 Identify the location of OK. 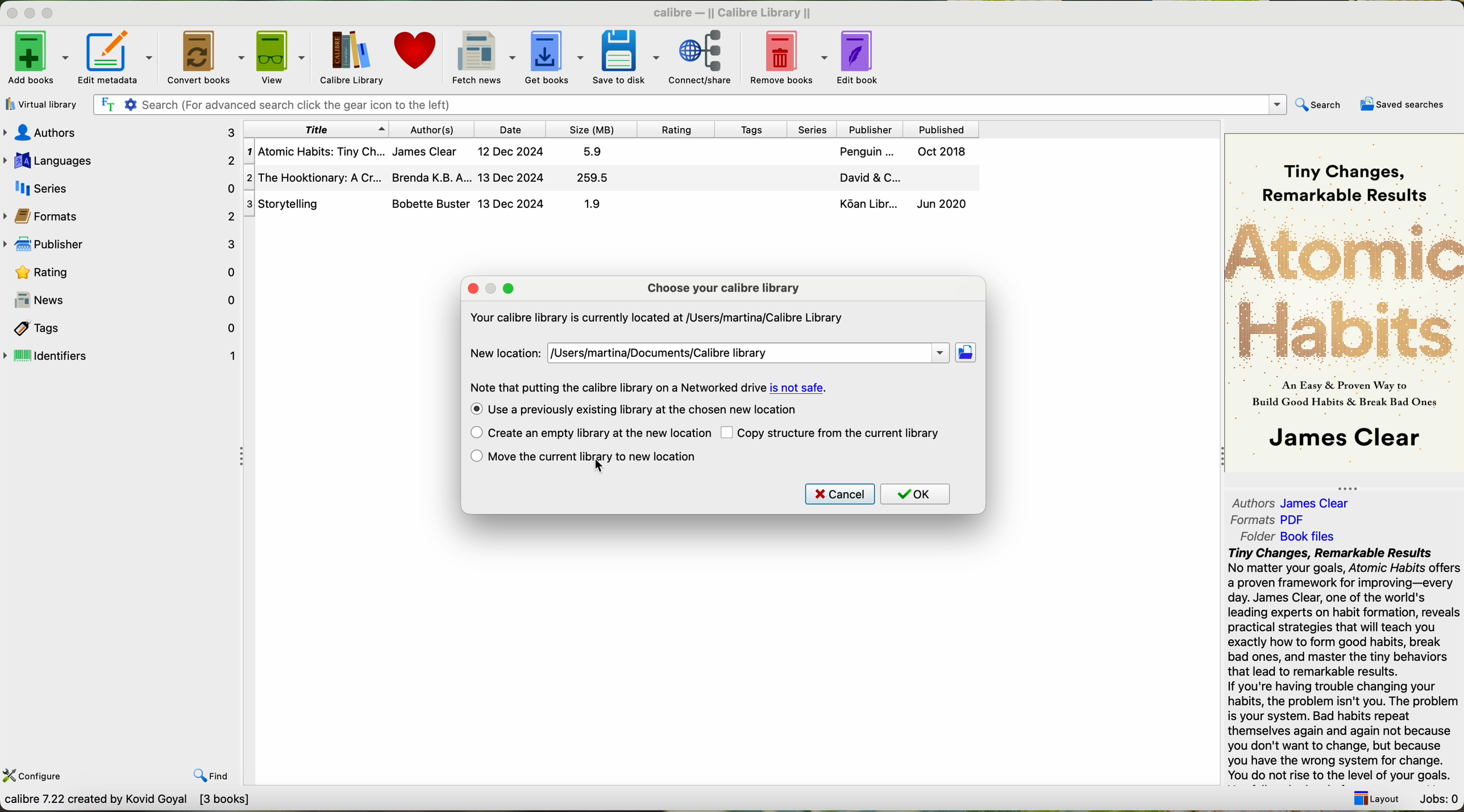
(916, 494).